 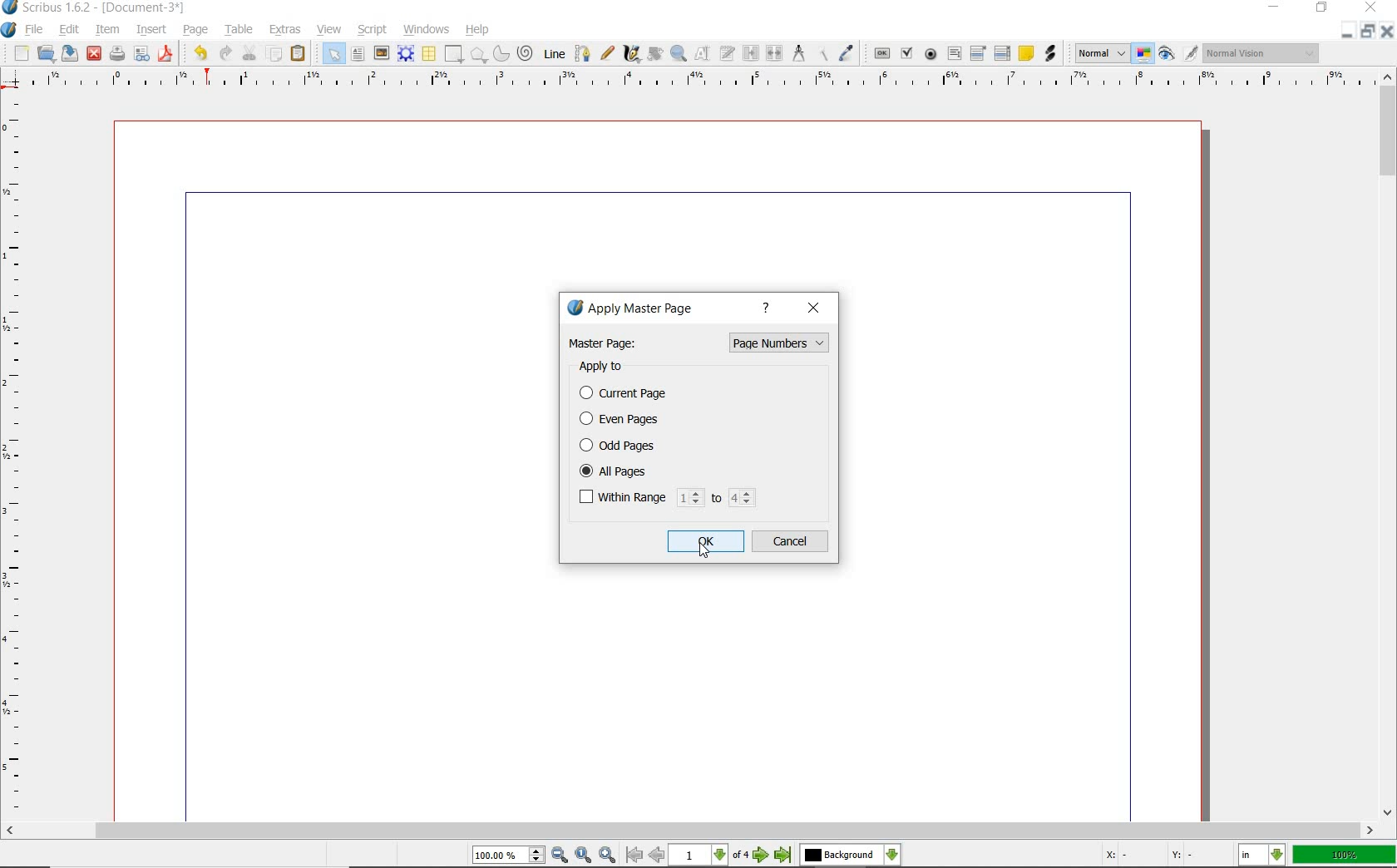 I want to click on Minimize, so click(x=1367, y=33).